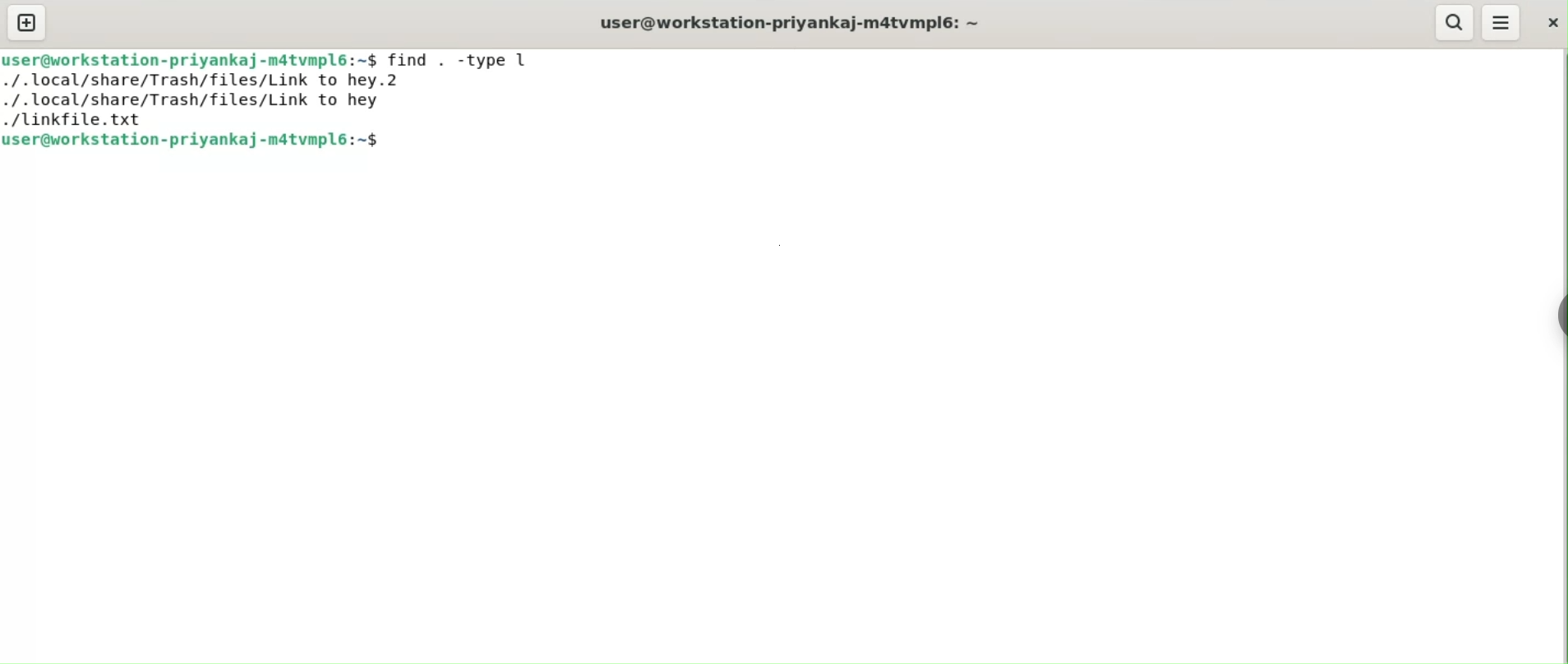 Image resolution: width=1568 pixels, height=664 pixels. I want to click on cursor, so click(409, 141).